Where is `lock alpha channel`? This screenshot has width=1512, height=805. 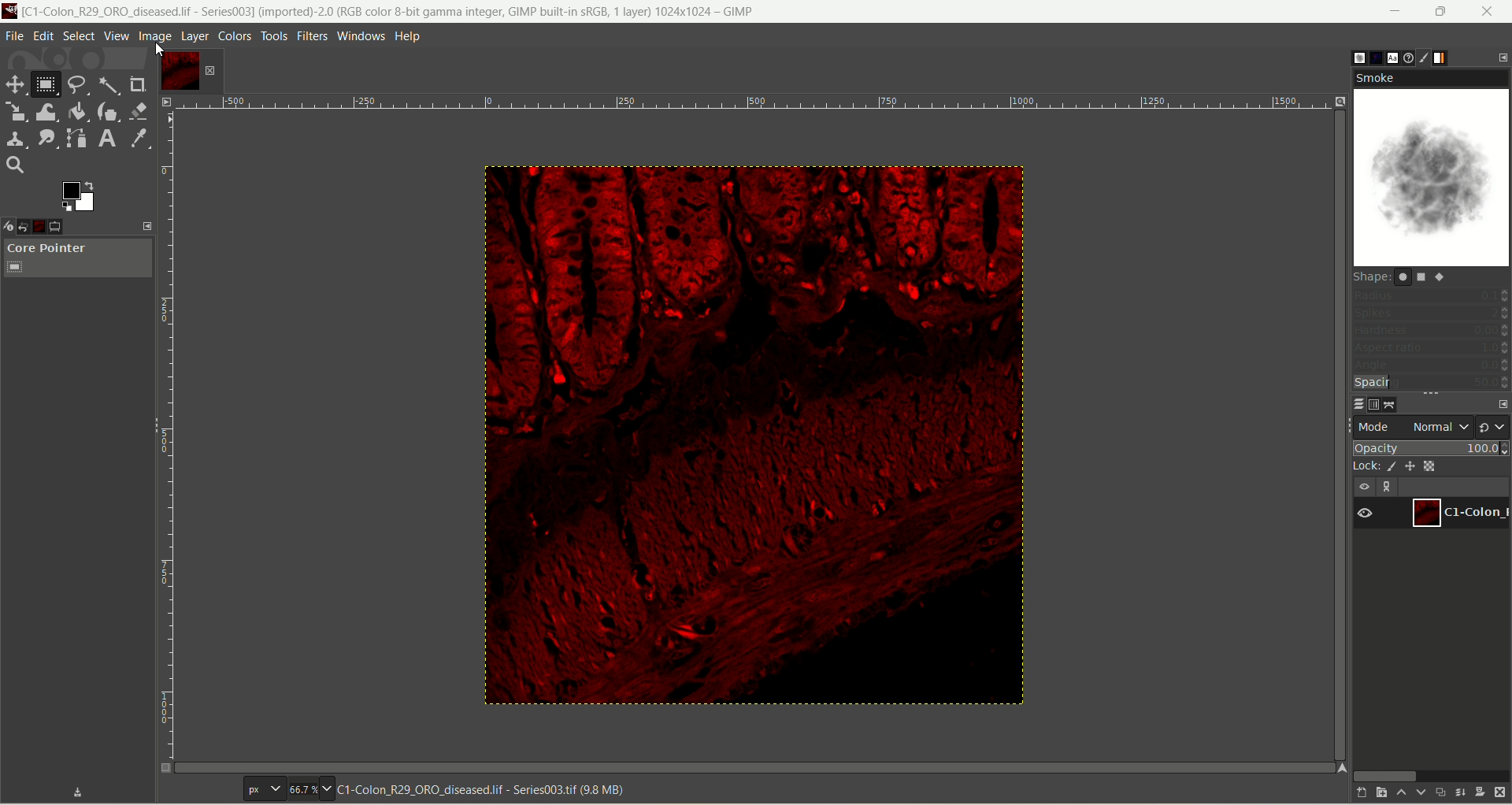
lock alpha channel is located at coordinates (1430, 467).